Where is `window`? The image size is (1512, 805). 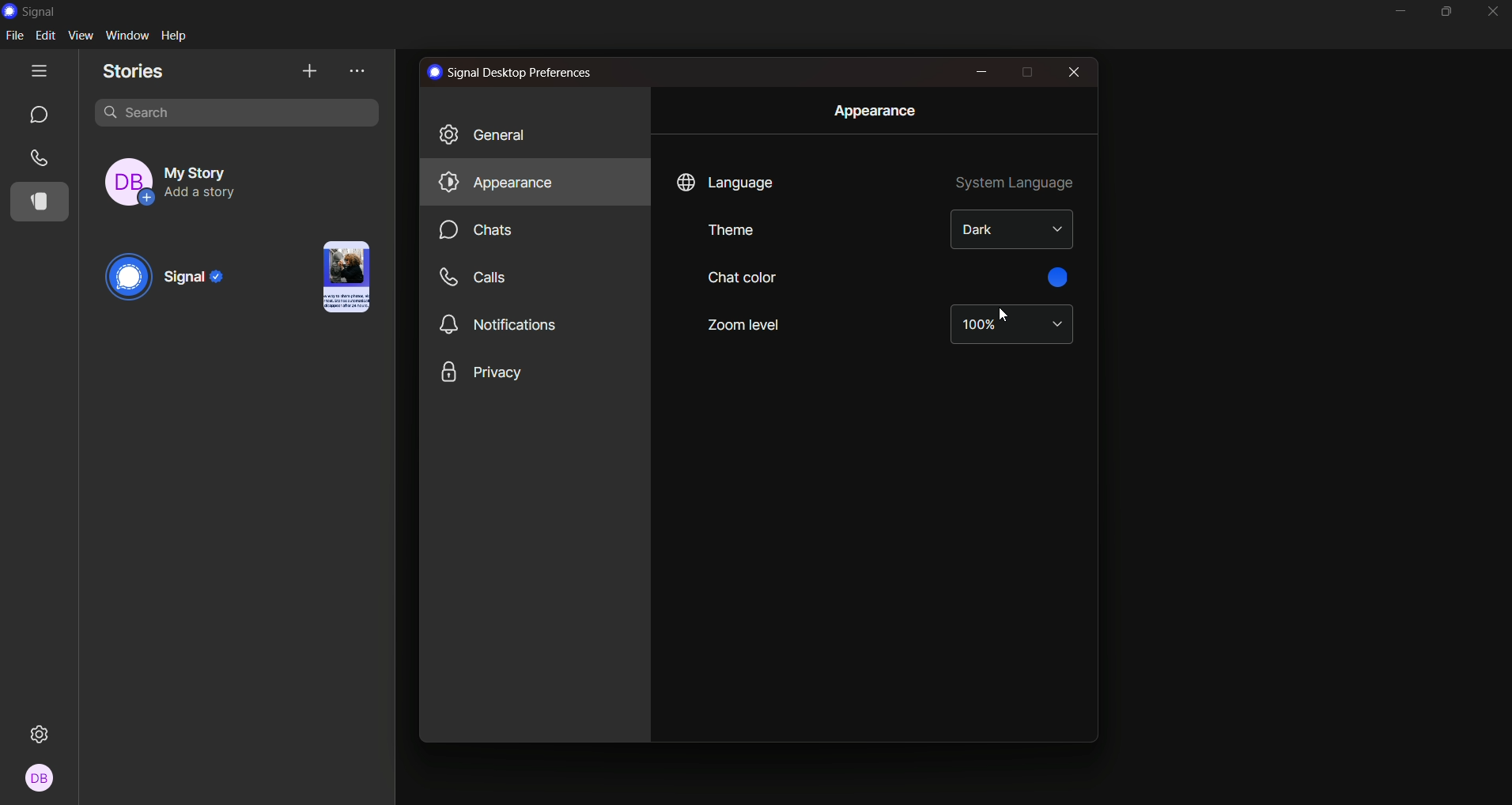
window is located at coordinates (127, 34).